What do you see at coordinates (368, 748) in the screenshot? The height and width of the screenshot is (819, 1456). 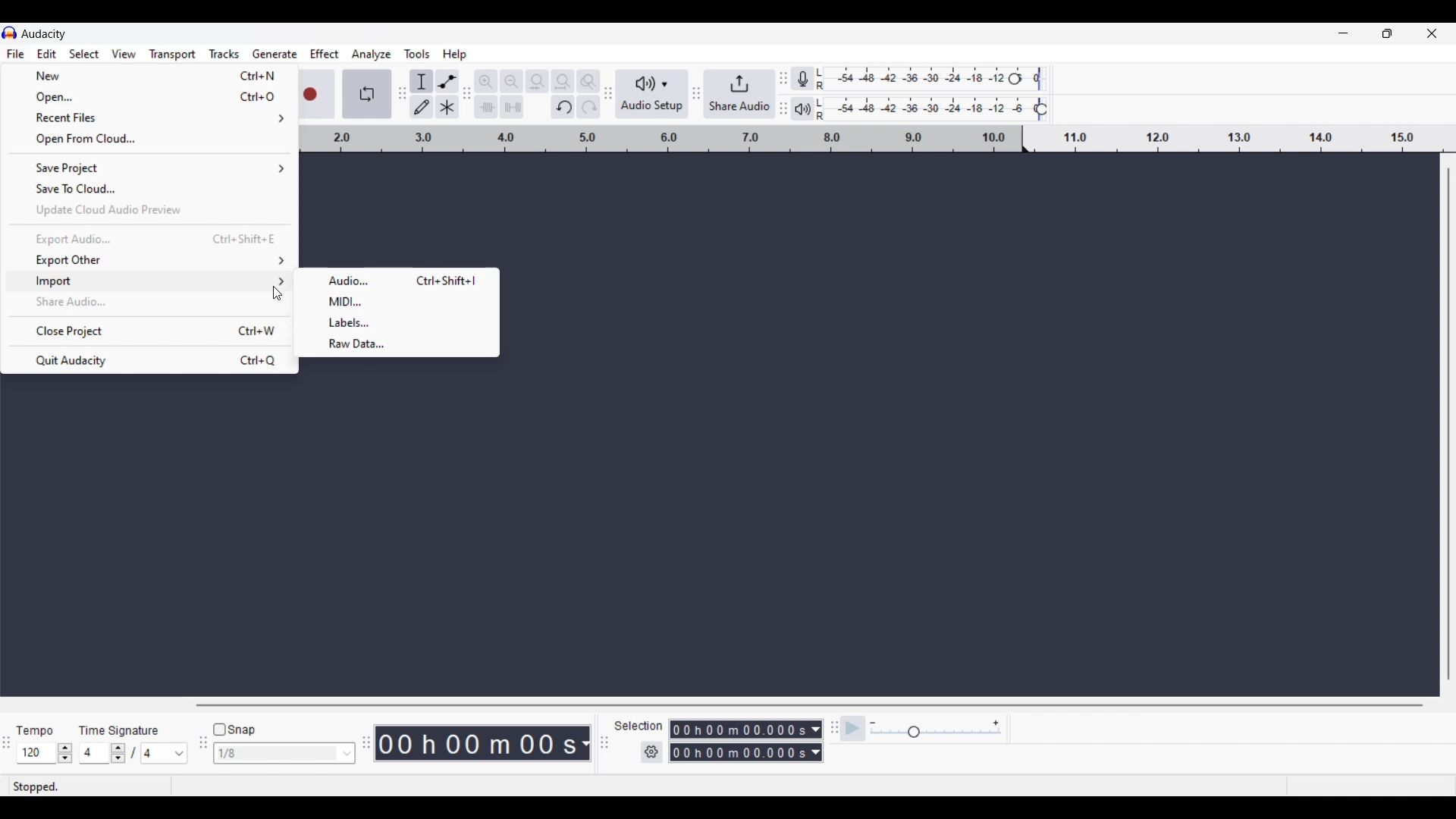 I see `time toolbar` at bounding box center [368, 748].